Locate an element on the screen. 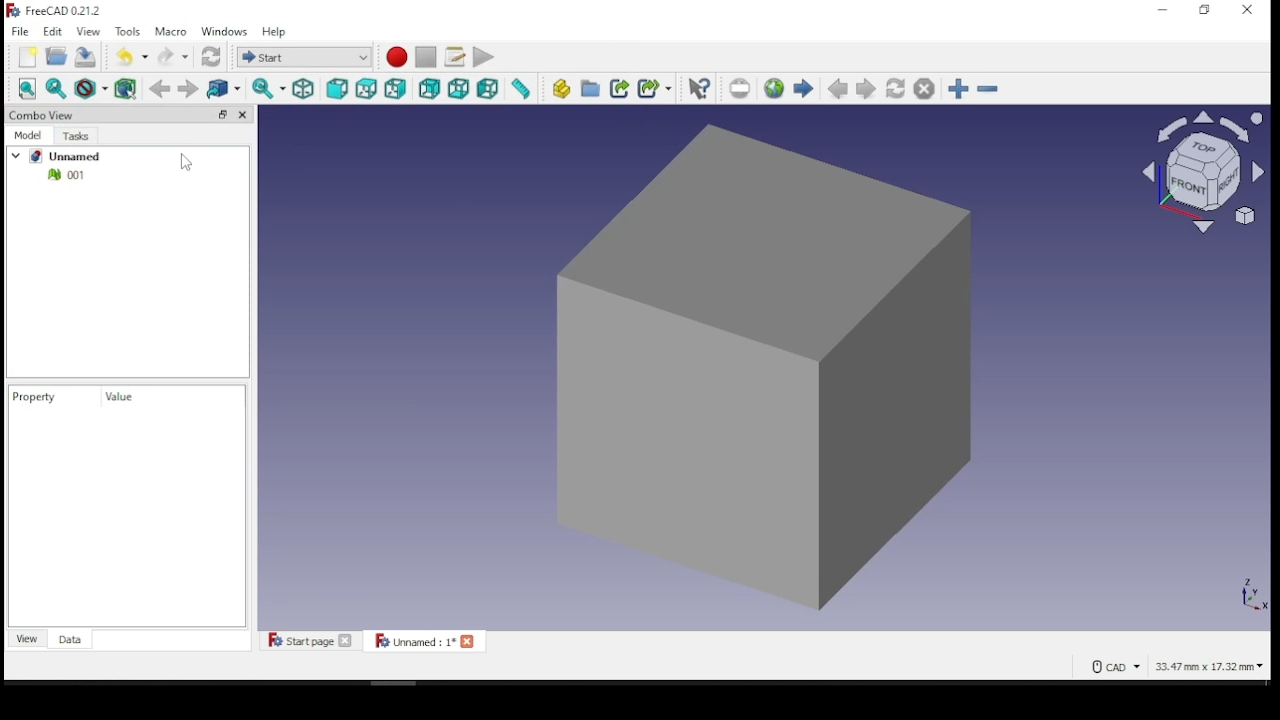 The height and width of the screenshot is (720, 1280). next page is located at coordinates (866, 88).